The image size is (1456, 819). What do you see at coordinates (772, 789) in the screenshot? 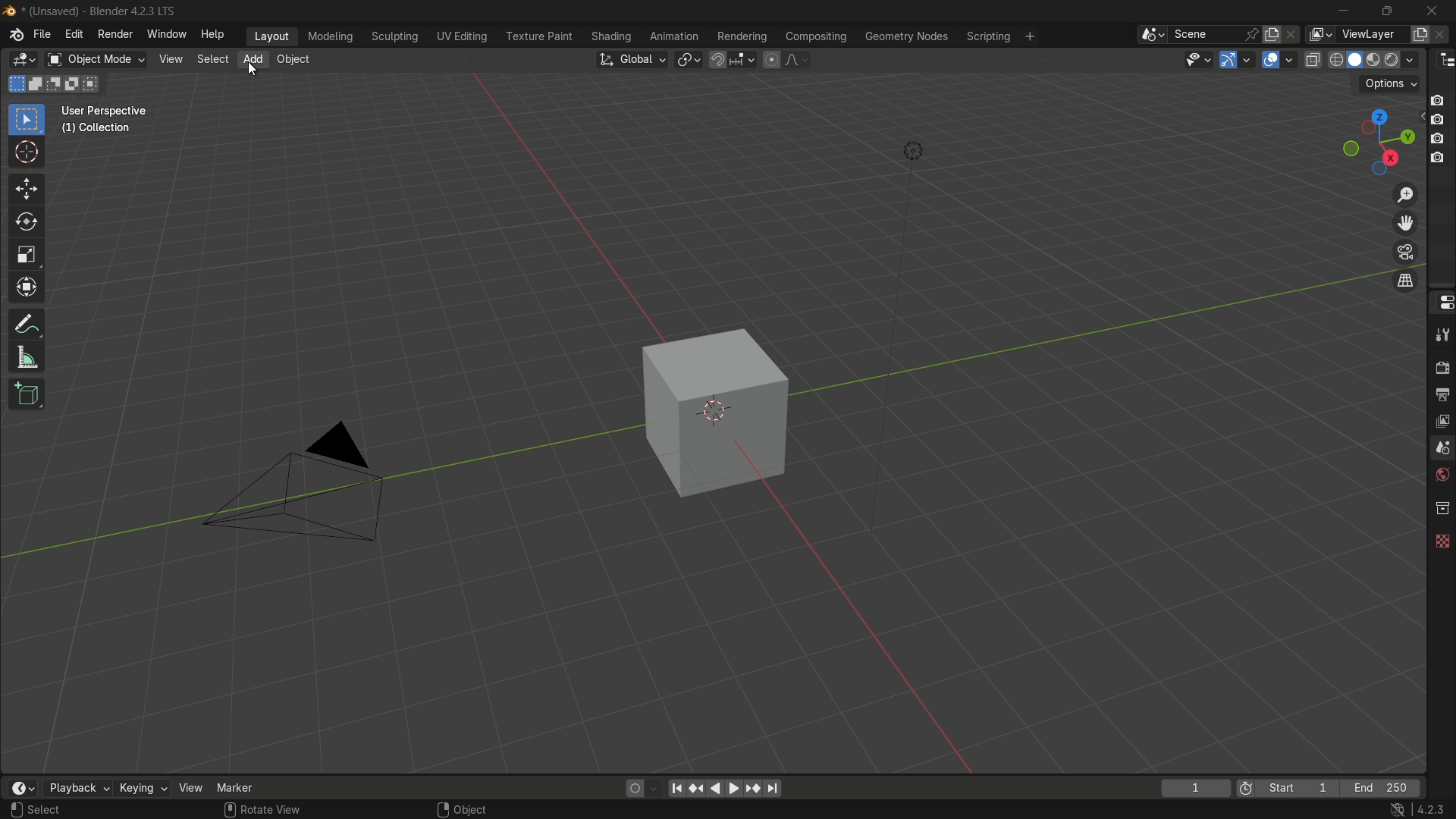
I see `jump to endpoint` at bounding box center [772, 789].